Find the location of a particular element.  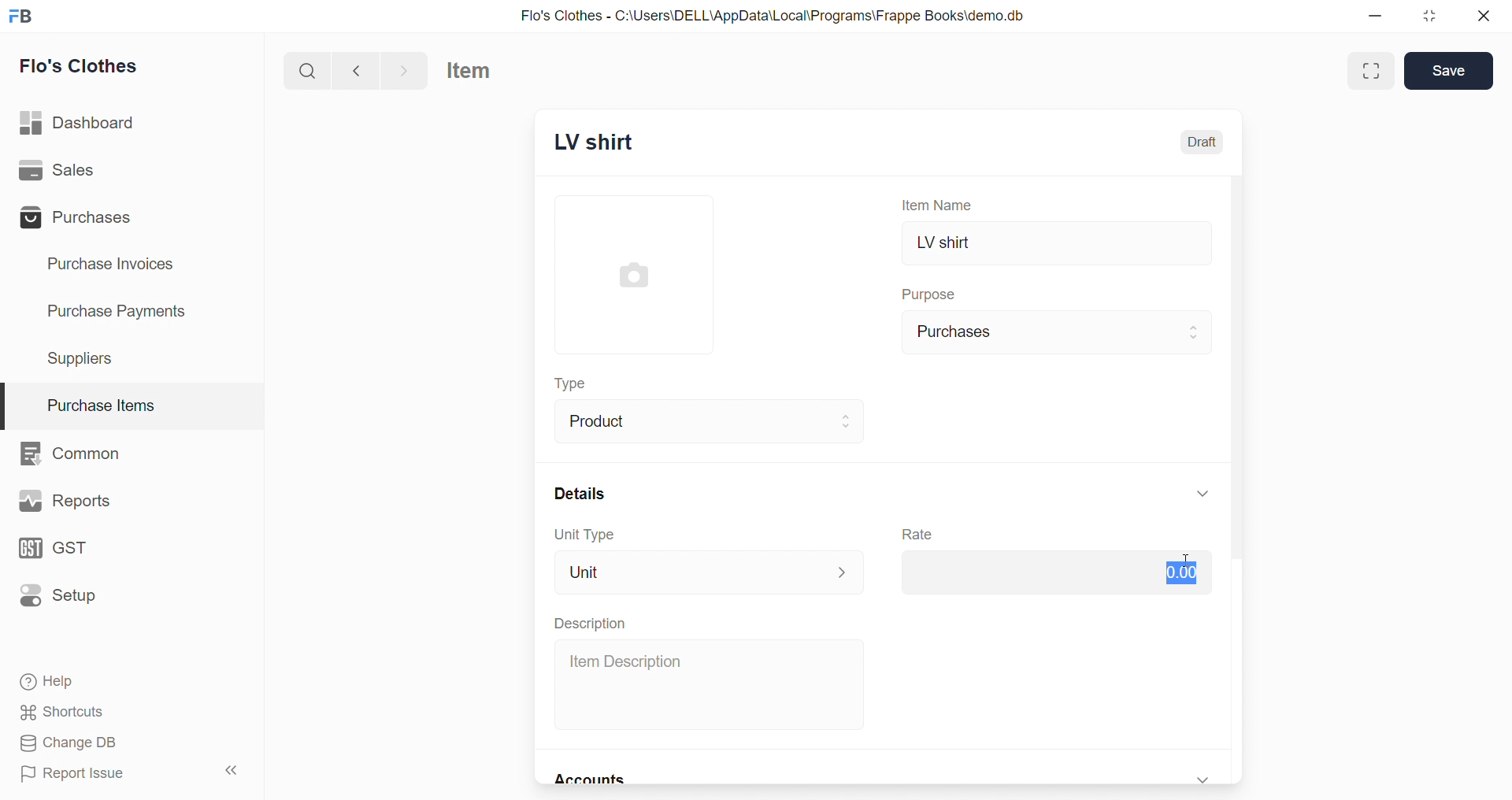

Description is located at coordinates (589, 623).